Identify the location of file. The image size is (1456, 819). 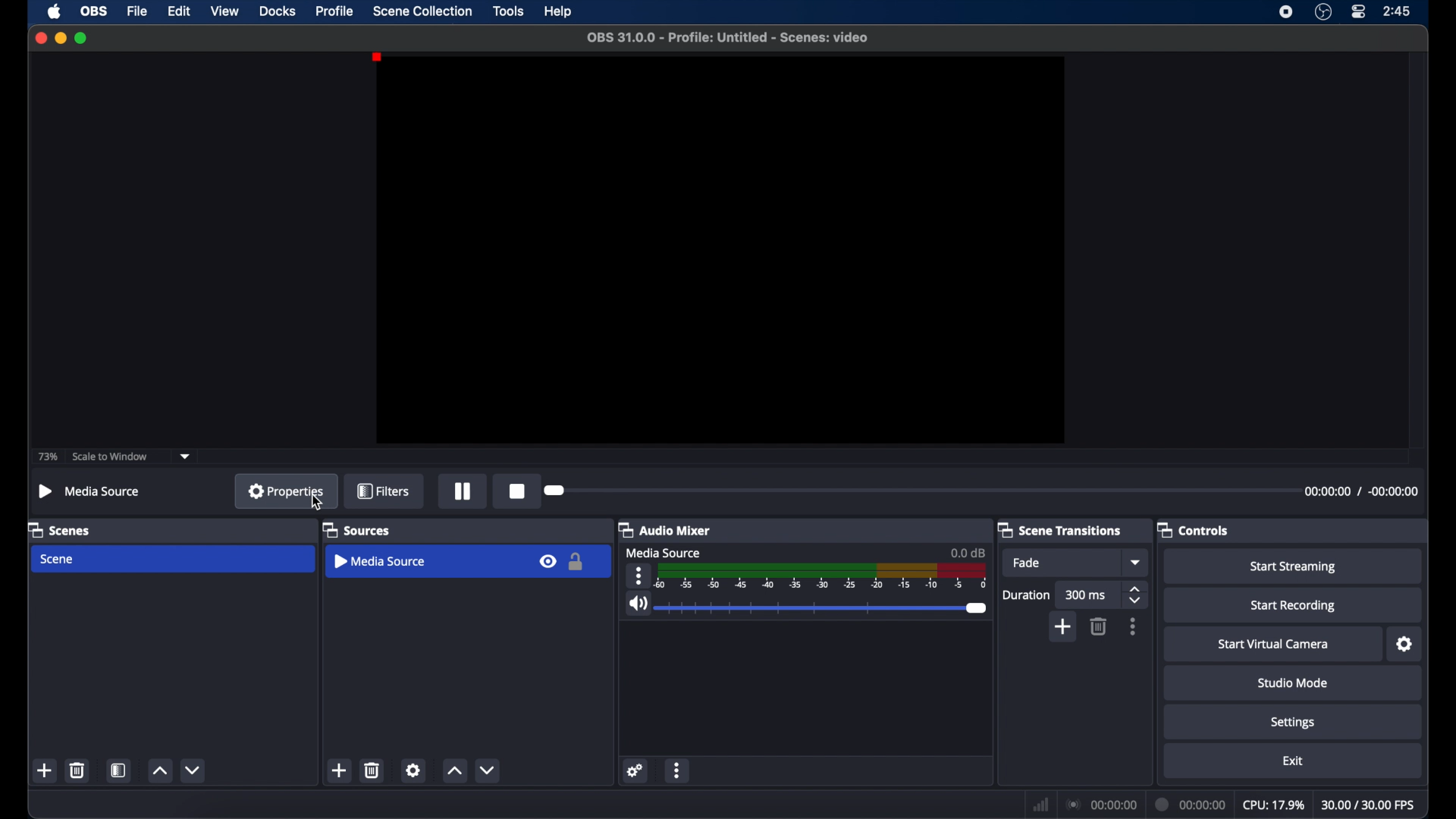
(138, 11).